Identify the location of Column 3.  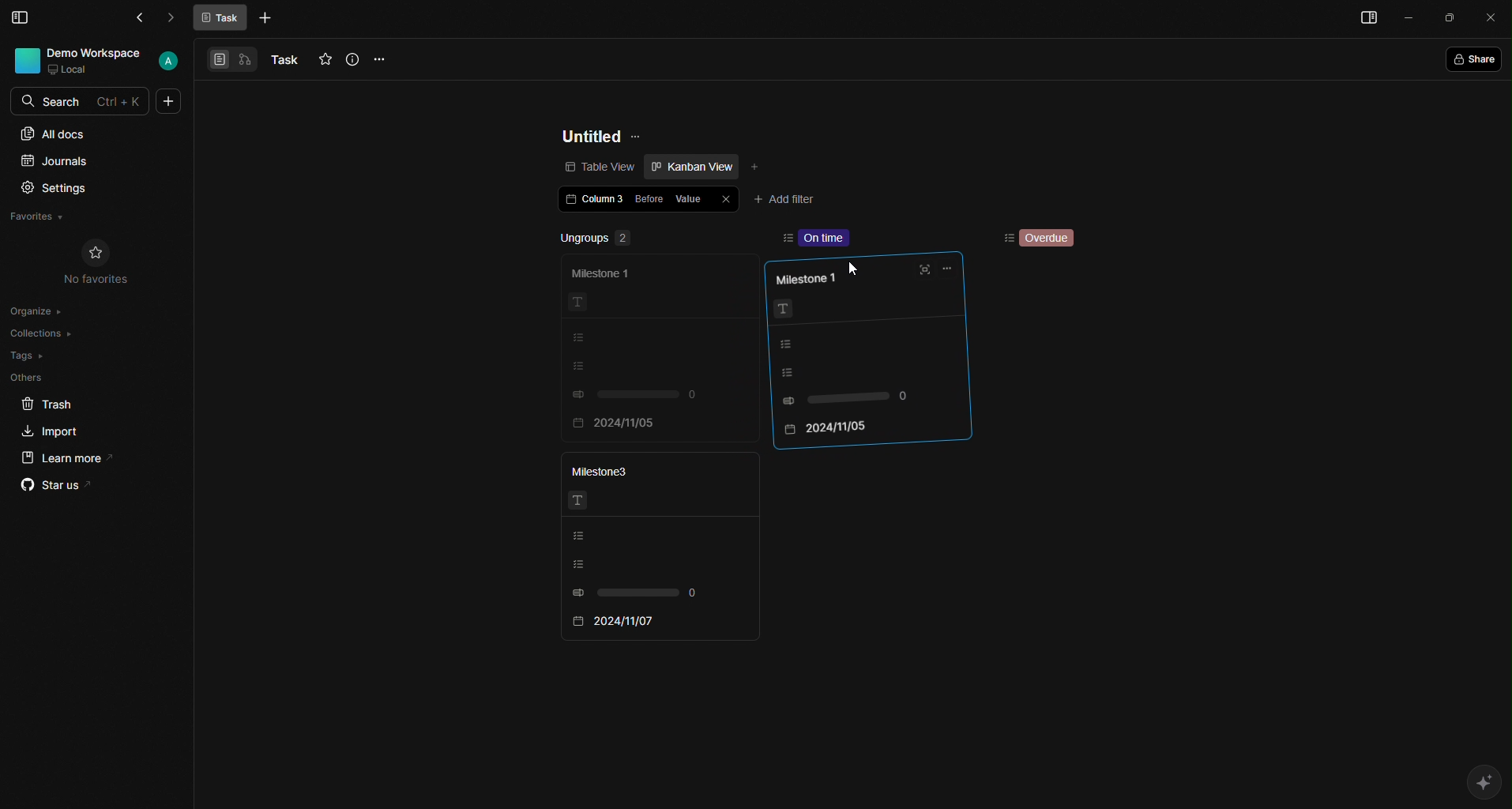
(592, 201).